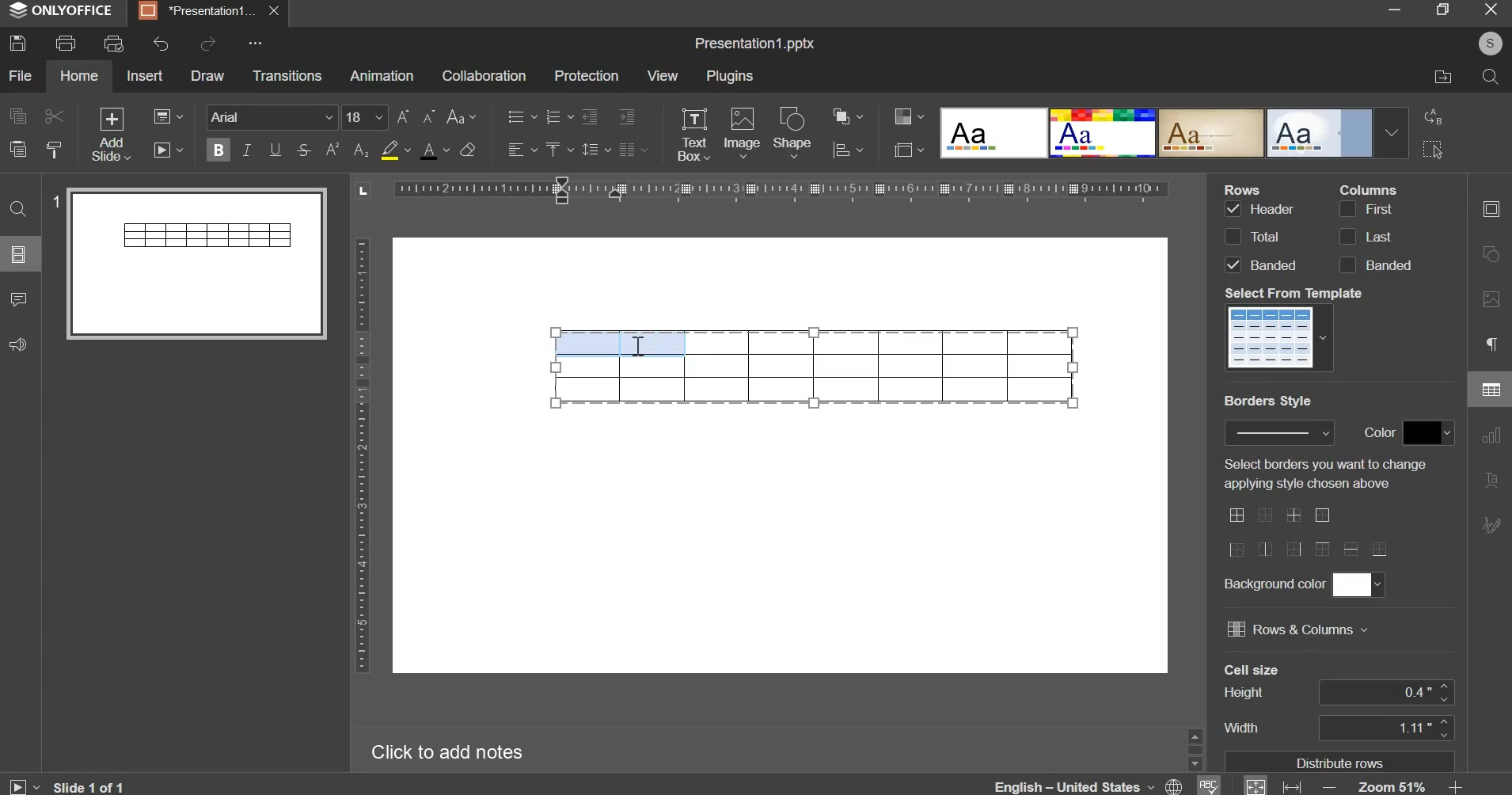  I want to click on Color, so click(1381, 432).